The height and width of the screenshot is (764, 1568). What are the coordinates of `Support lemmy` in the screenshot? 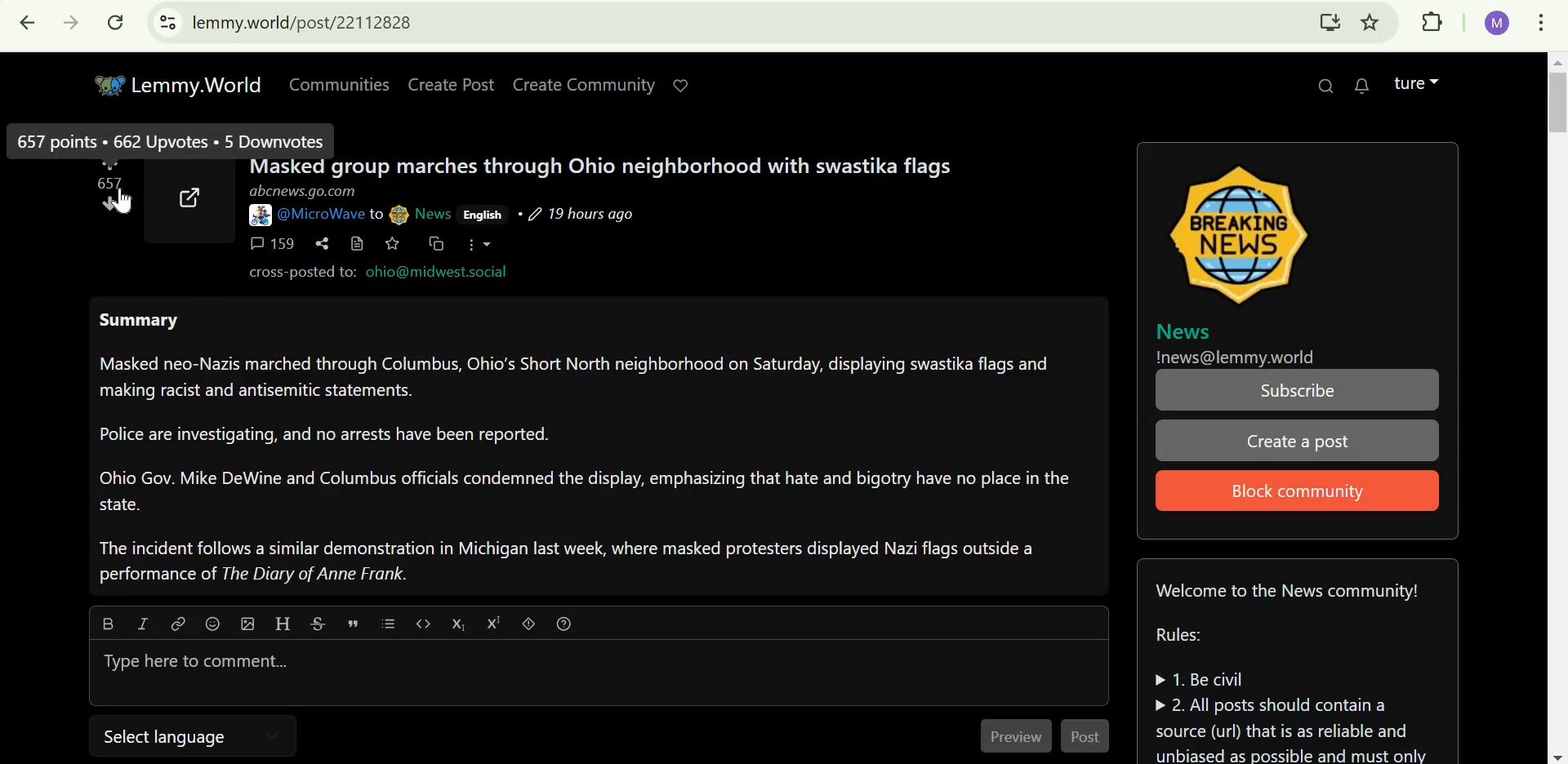 It's located at (681, 85).